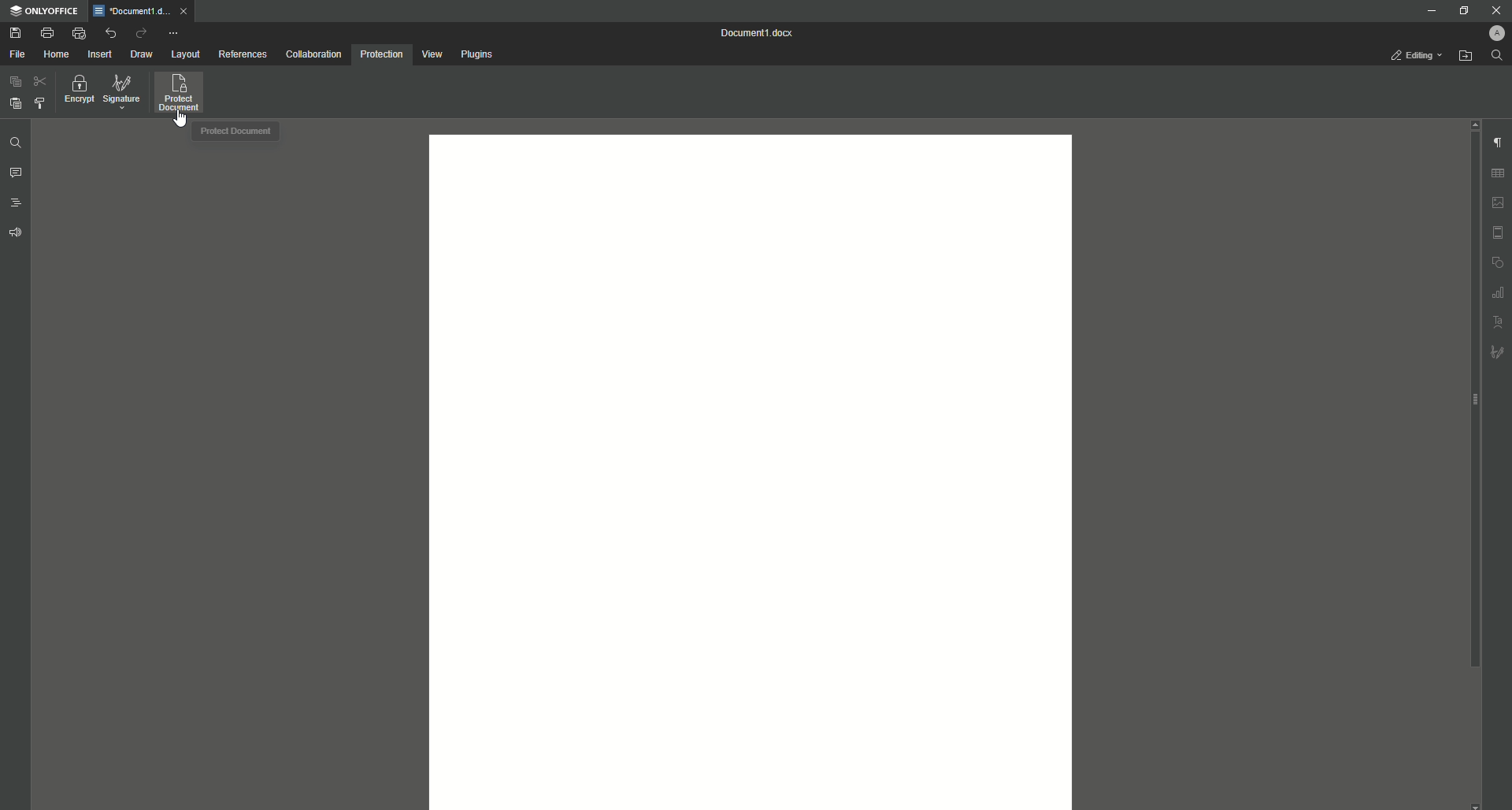  I want to click on Print, so click(45, 33).